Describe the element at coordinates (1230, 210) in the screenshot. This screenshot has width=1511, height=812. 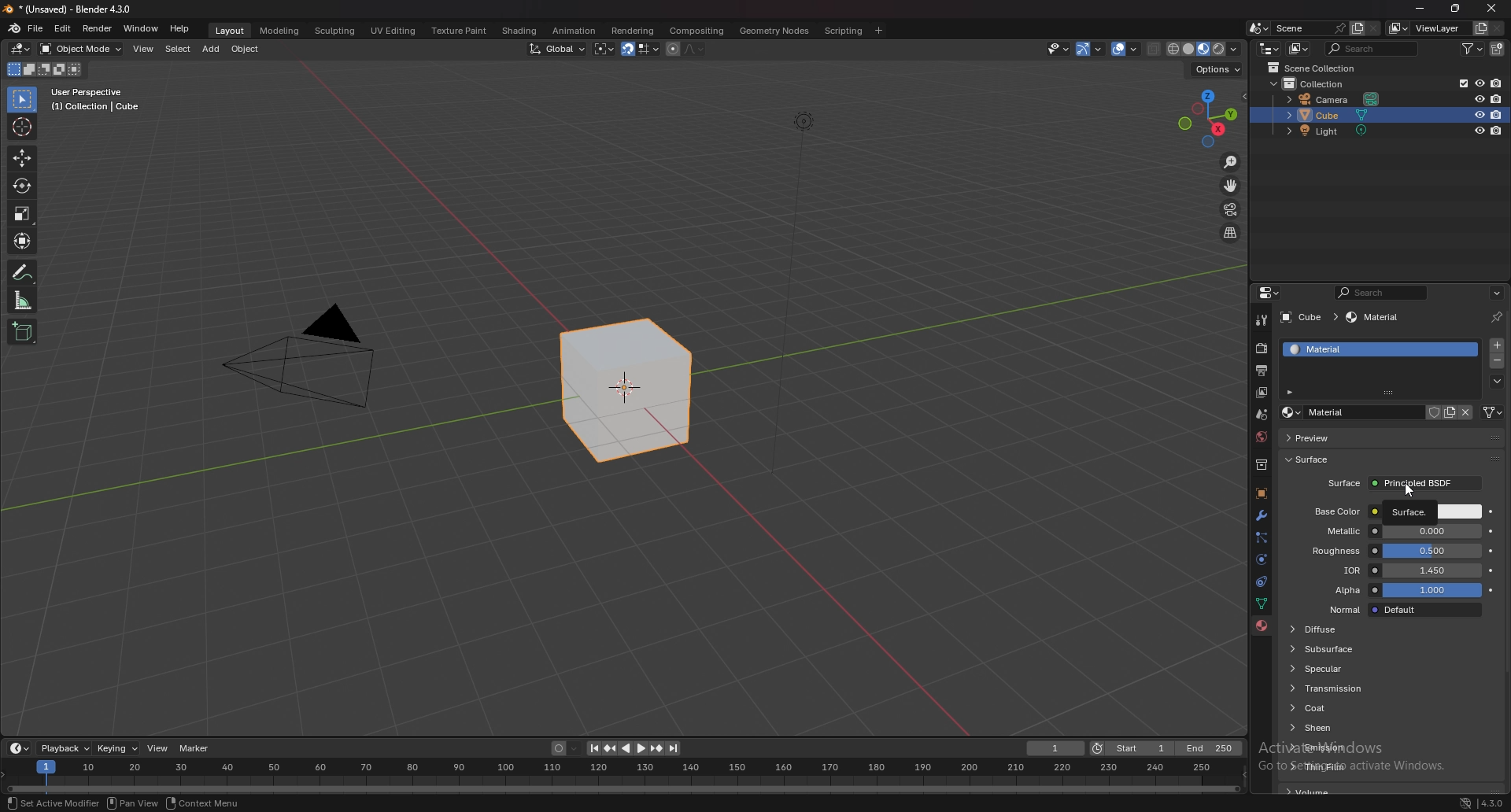
I see `camera view` at that location.